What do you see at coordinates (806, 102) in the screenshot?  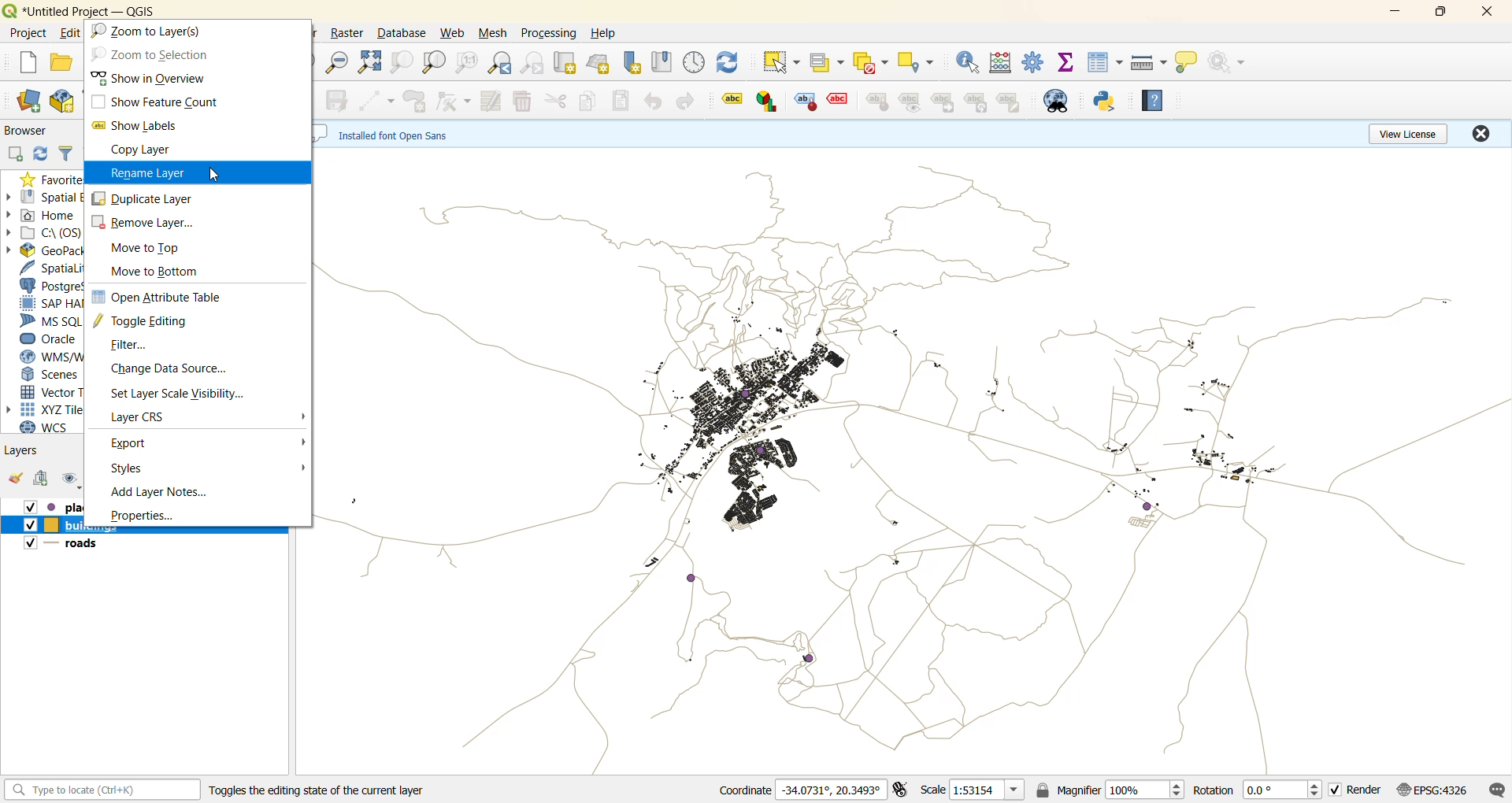 I see `style` at bounding box center [806, 102].